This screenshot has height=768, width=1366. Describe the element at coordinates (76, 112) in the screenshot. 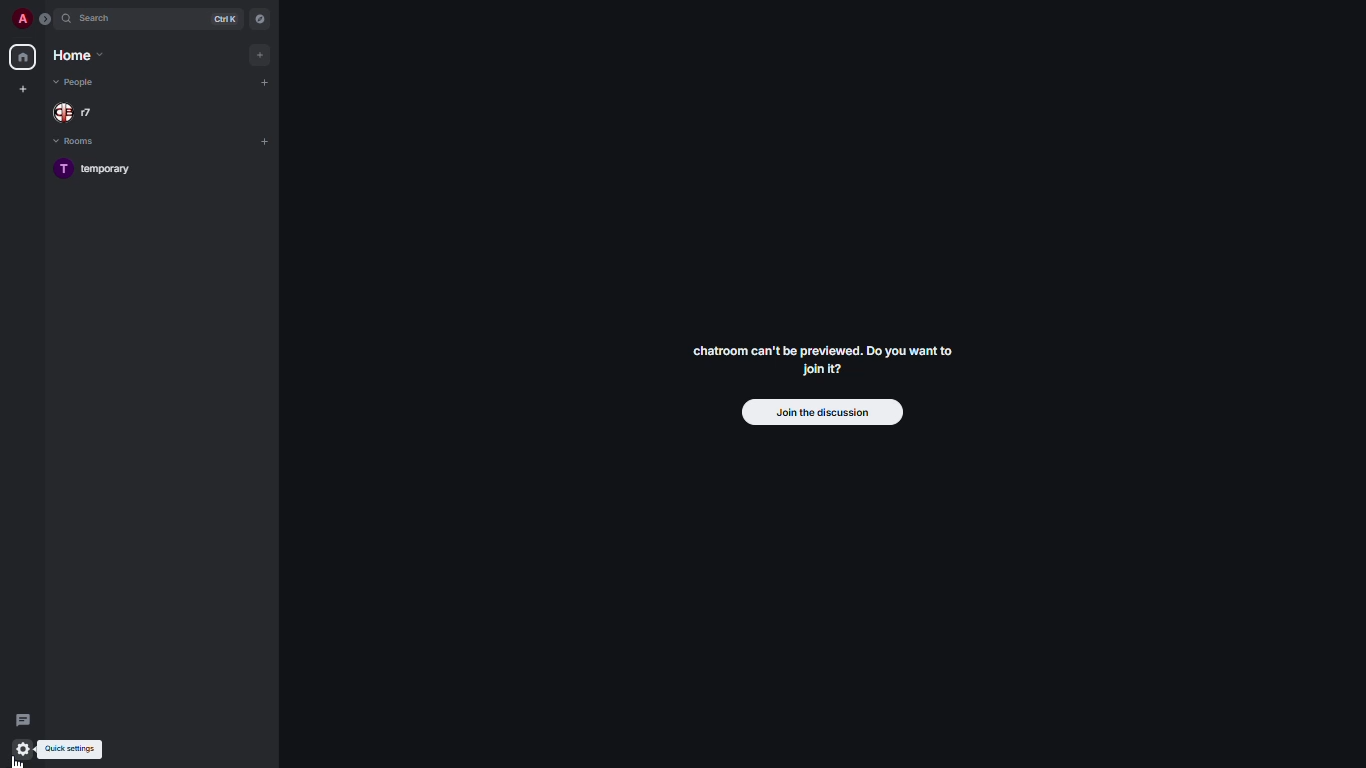

I see `people` at that location.